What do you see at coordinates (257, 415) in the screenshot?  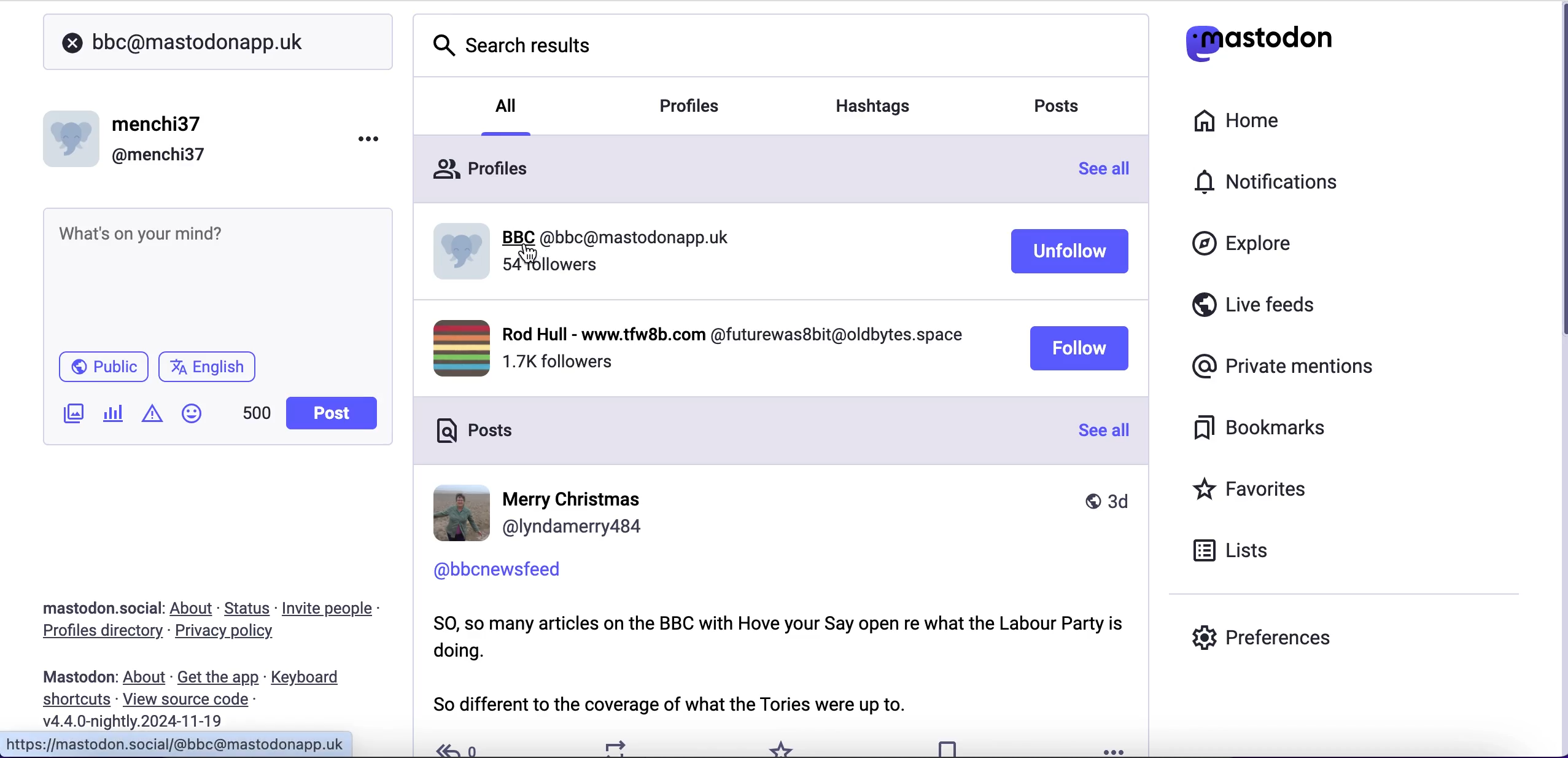 I see `characters` at bounding box center [257, 415].